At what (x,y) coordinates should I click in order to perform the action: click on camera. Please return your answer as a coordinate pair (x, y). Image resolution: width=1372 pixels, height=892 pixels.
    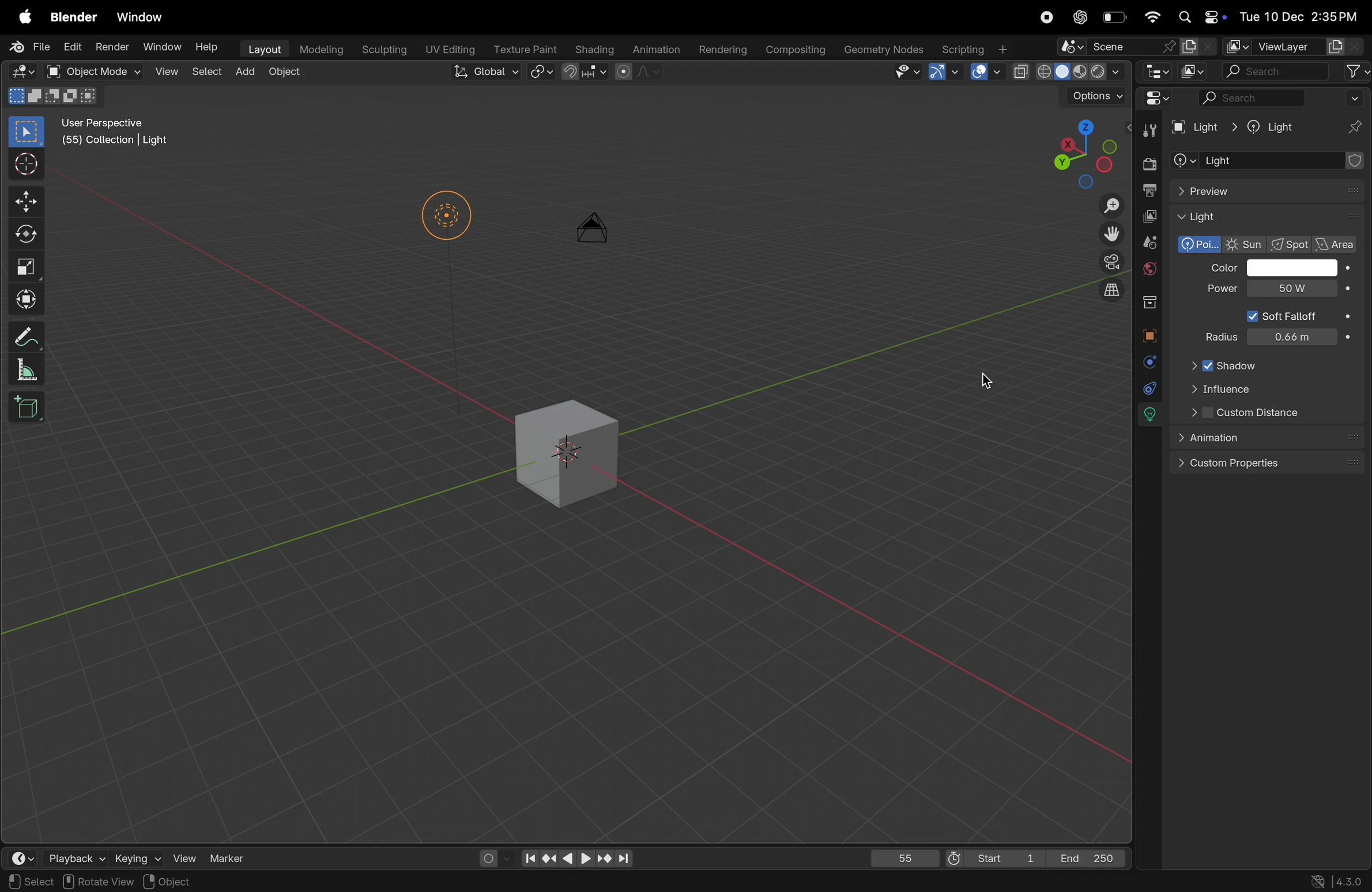
    Looking at the image, I should click on (1109, 262).